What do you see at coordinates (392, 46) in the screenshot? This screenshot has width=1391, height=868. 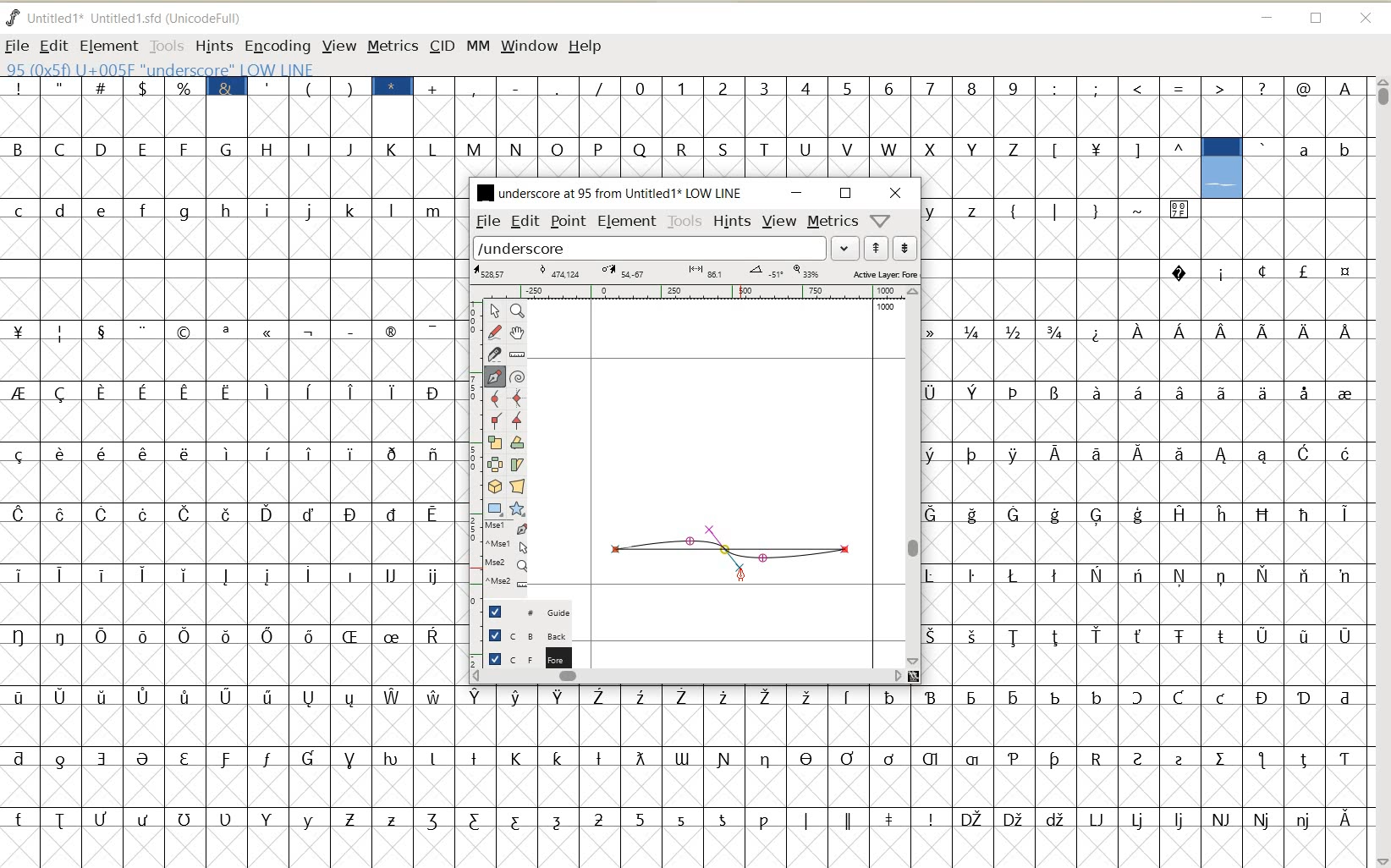 I see `METRICS` at bounding box center [392, 46].